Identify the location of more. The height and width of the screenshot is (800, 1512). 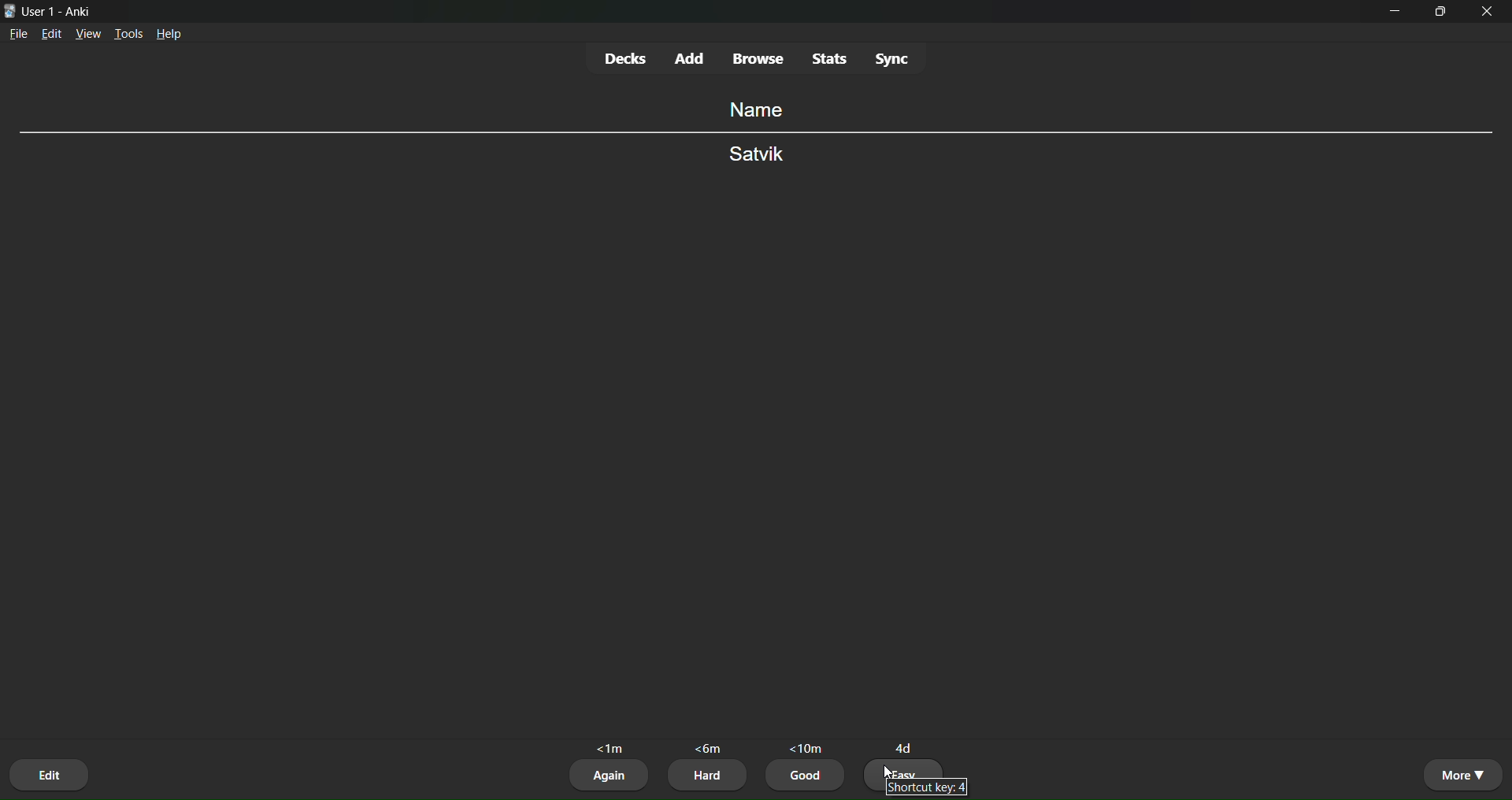
(1462, 774).